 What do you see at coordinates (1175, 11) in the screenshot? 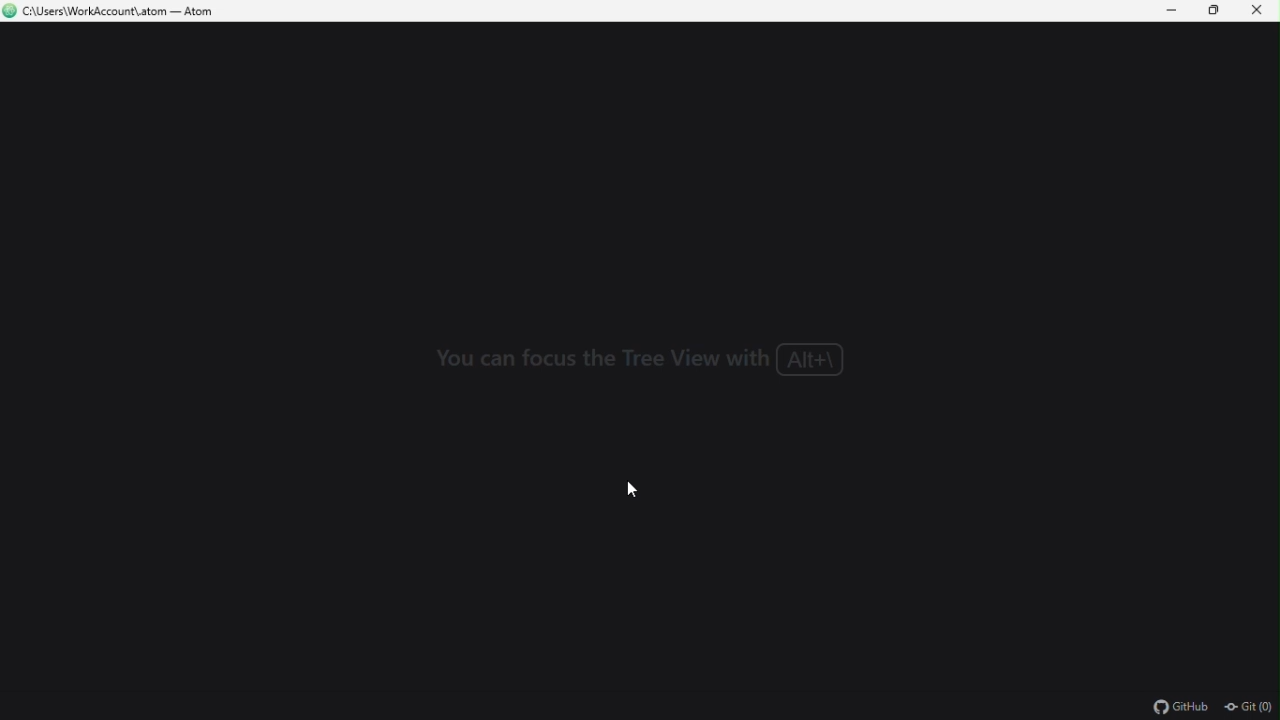
I see `minimize` at bounding box center [1175, 11].